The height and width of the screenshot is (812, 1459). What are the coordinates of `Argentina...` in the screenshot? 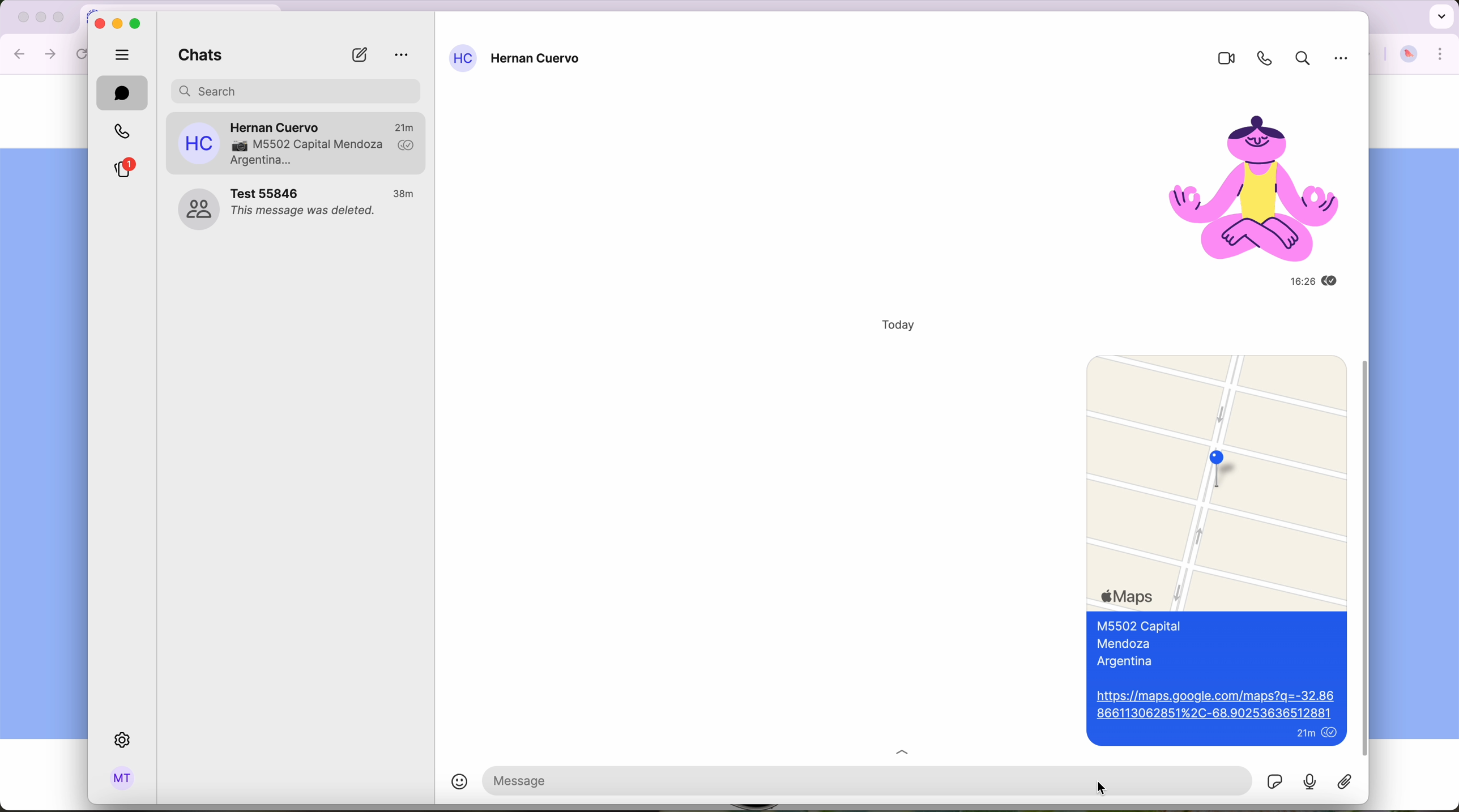 It's located at (262, 161).